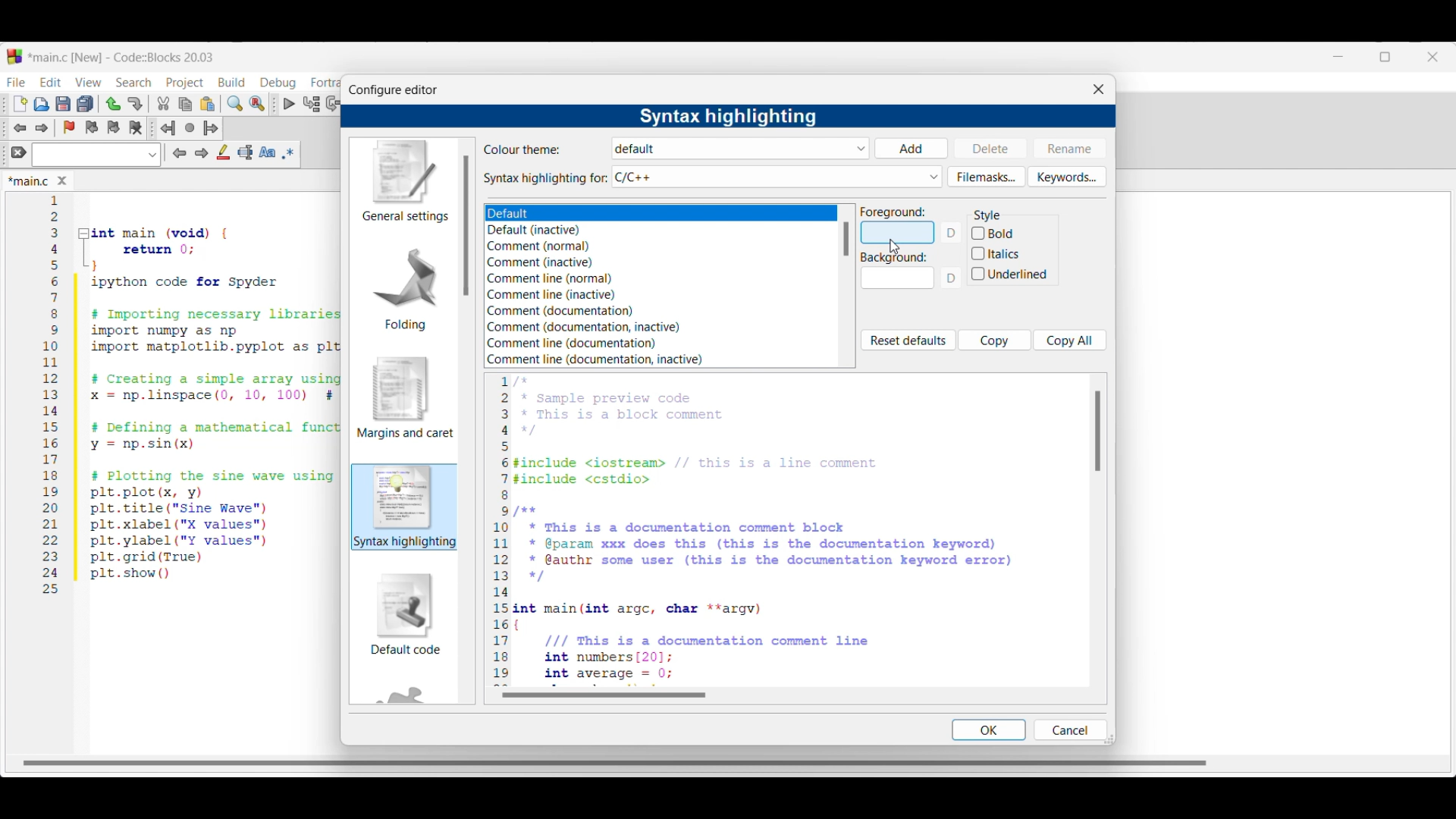 Image resolution: width=1456 pixels, height=819 pixels. What do you see at coordinates (42, 128) in the screenshot?
I see `Toggle forward` at bounding box center [42, 128].